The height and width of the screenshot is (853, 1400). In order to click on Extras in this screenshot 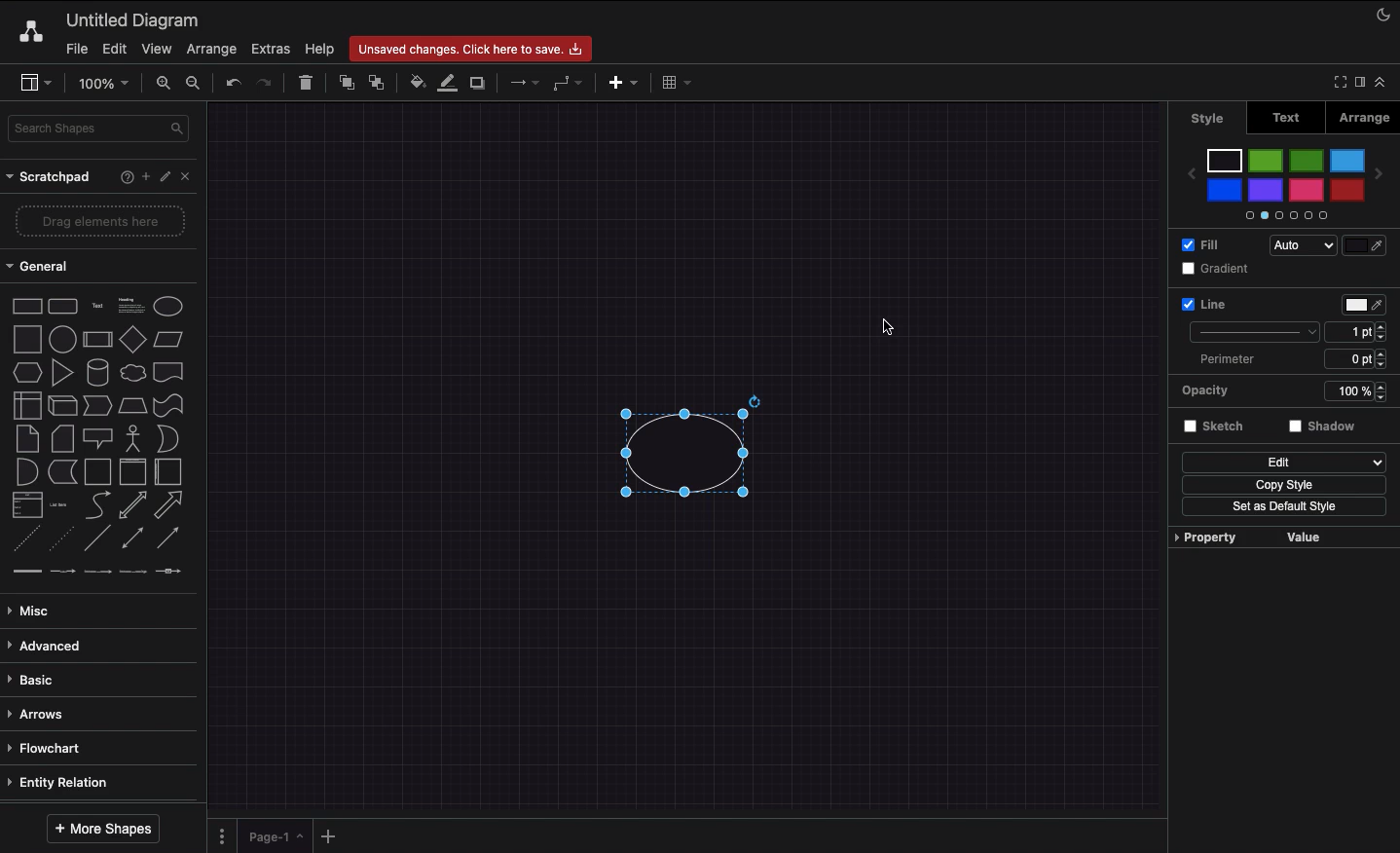, I will do `click(271, 48)`.